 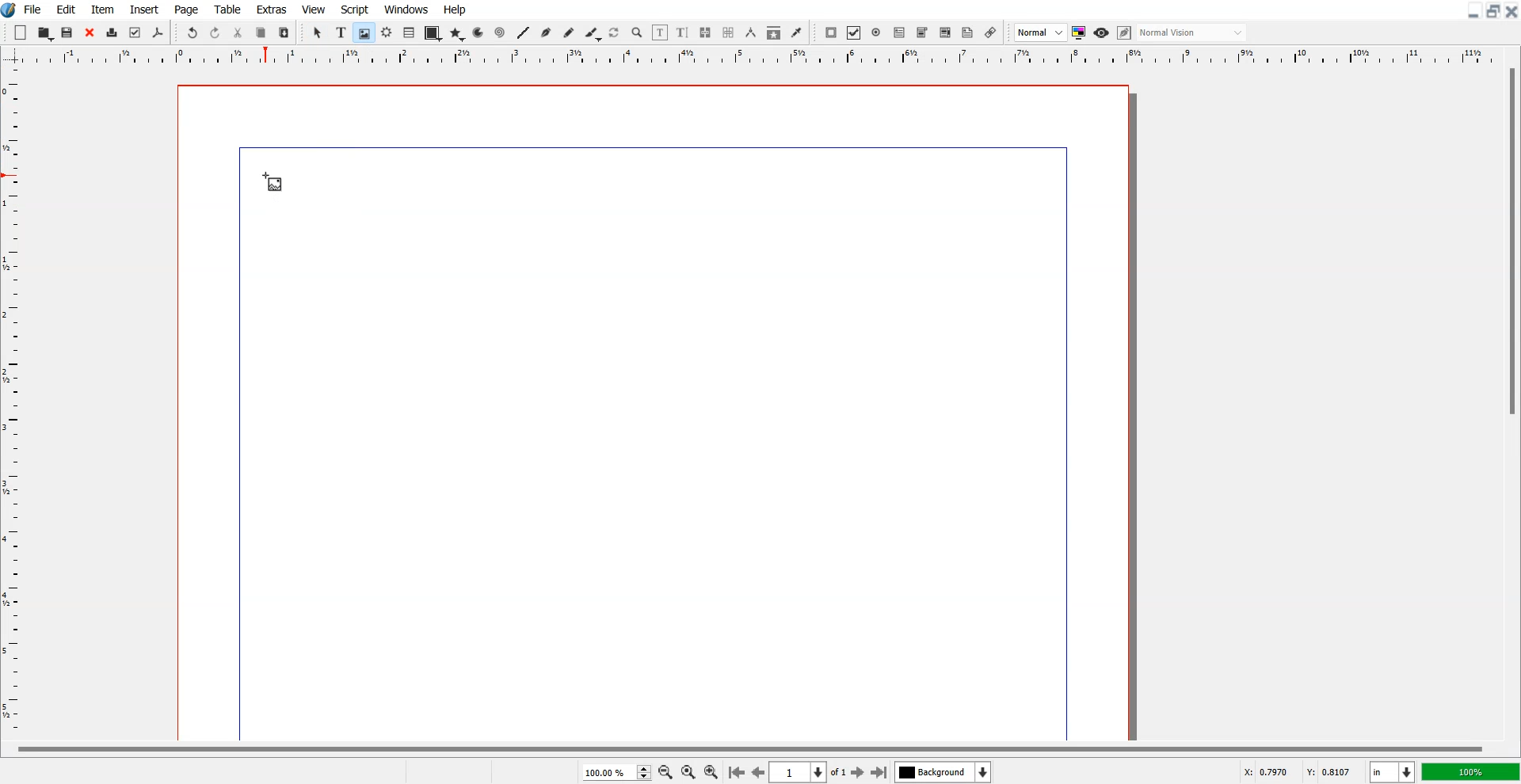 What do you see at coordinates (943, 771) in the screenshot?
I see `Select the current layer` at bounding box center [943, 771].